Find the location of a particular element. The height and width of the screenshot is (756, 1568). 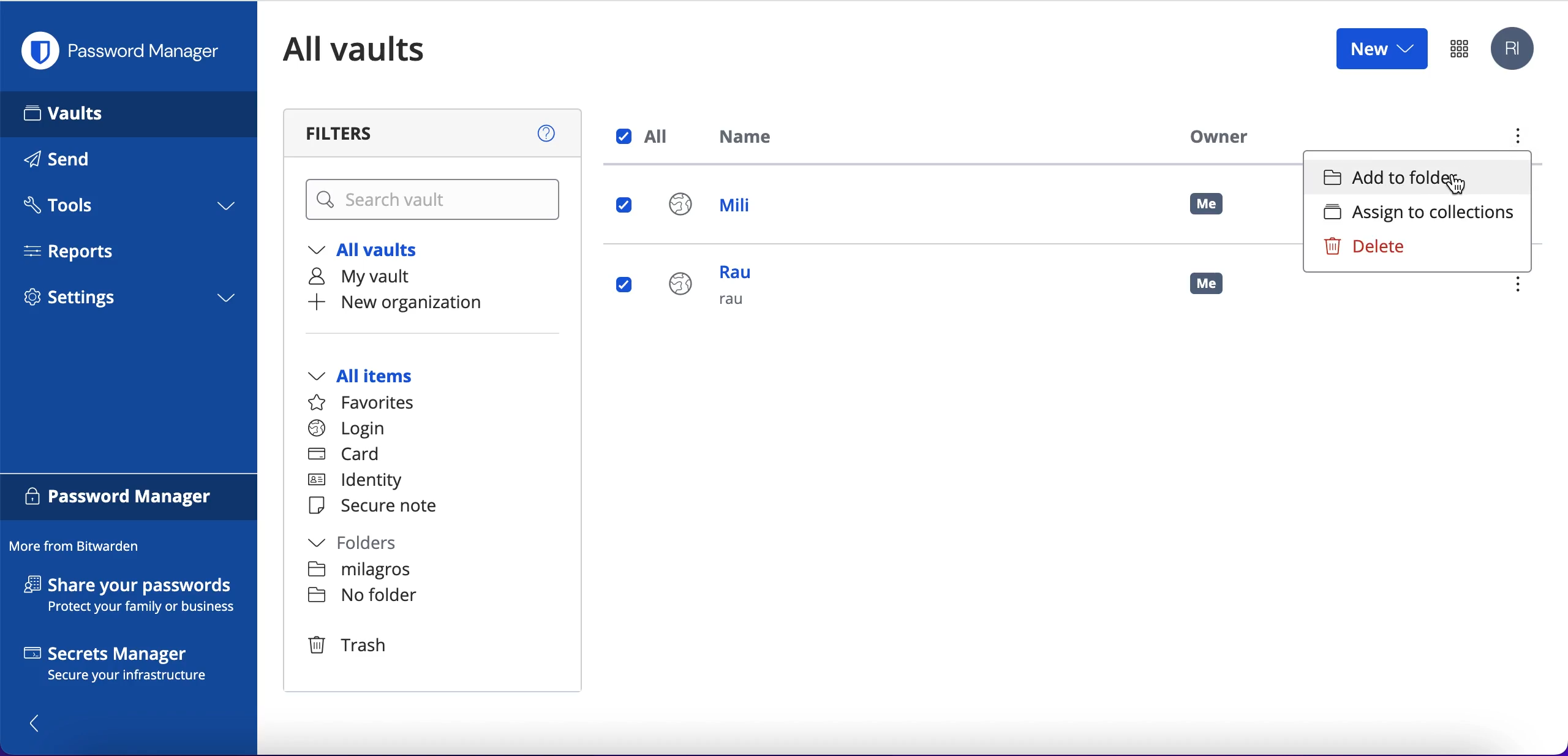

favorites is located at coordinates (369, 403).